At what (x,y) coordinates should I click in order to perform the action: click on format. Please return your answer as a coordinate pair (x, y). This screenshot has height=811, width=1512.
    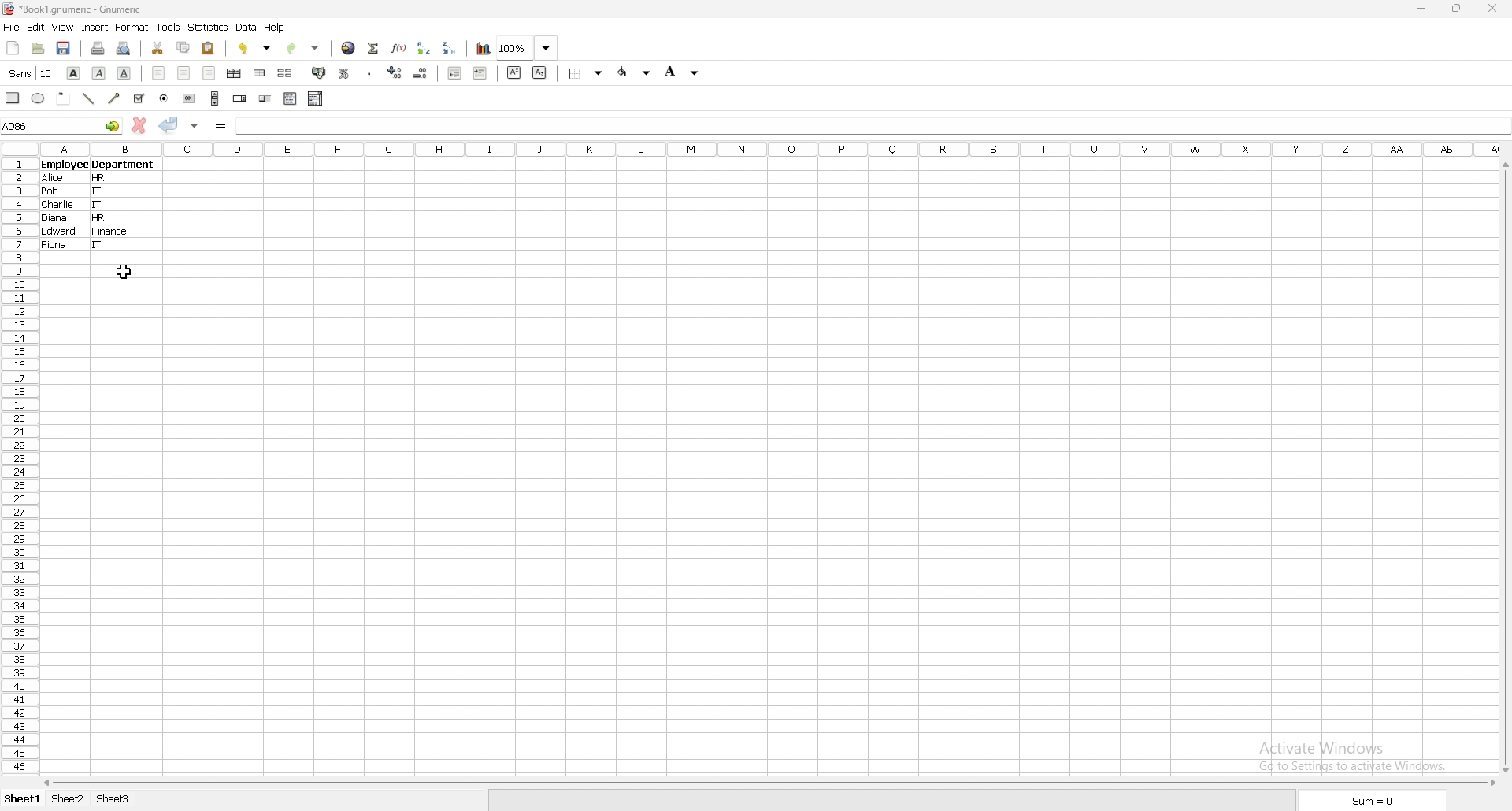
    Looking at the image, I should click on (132, 28).